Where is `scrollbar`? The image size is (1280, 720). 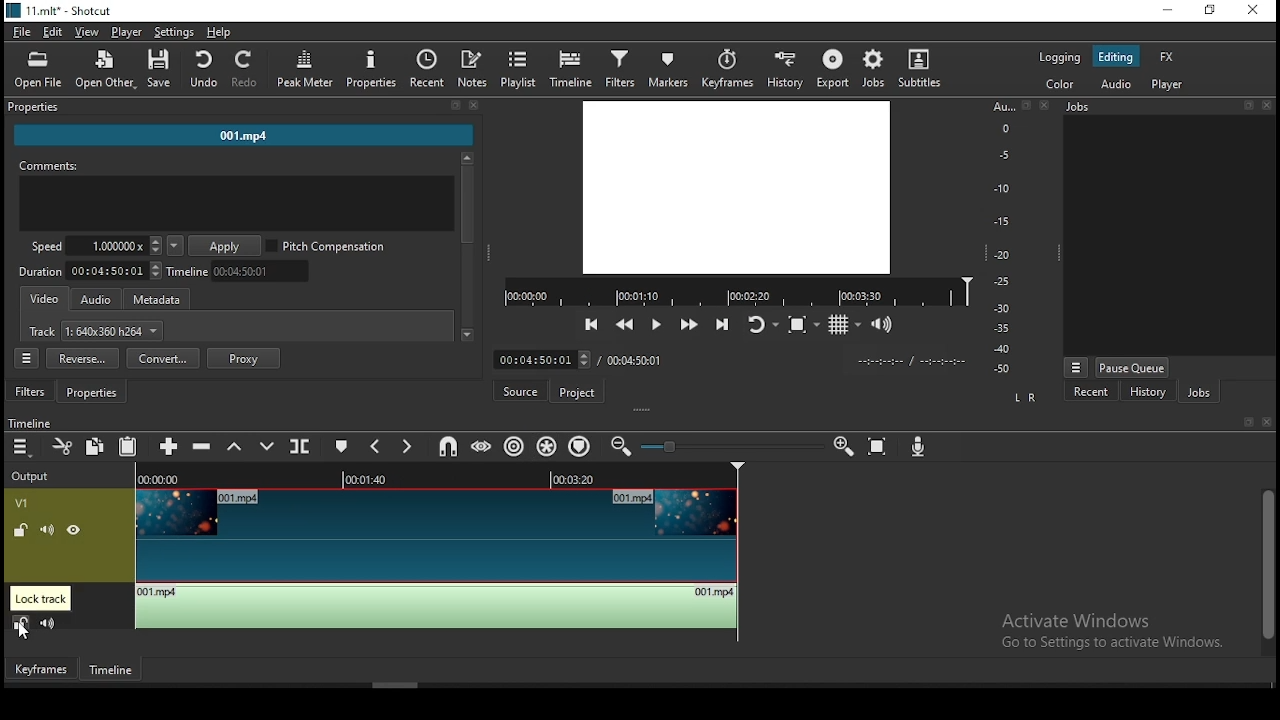
scrollbar is located at coordinates (467, 247).